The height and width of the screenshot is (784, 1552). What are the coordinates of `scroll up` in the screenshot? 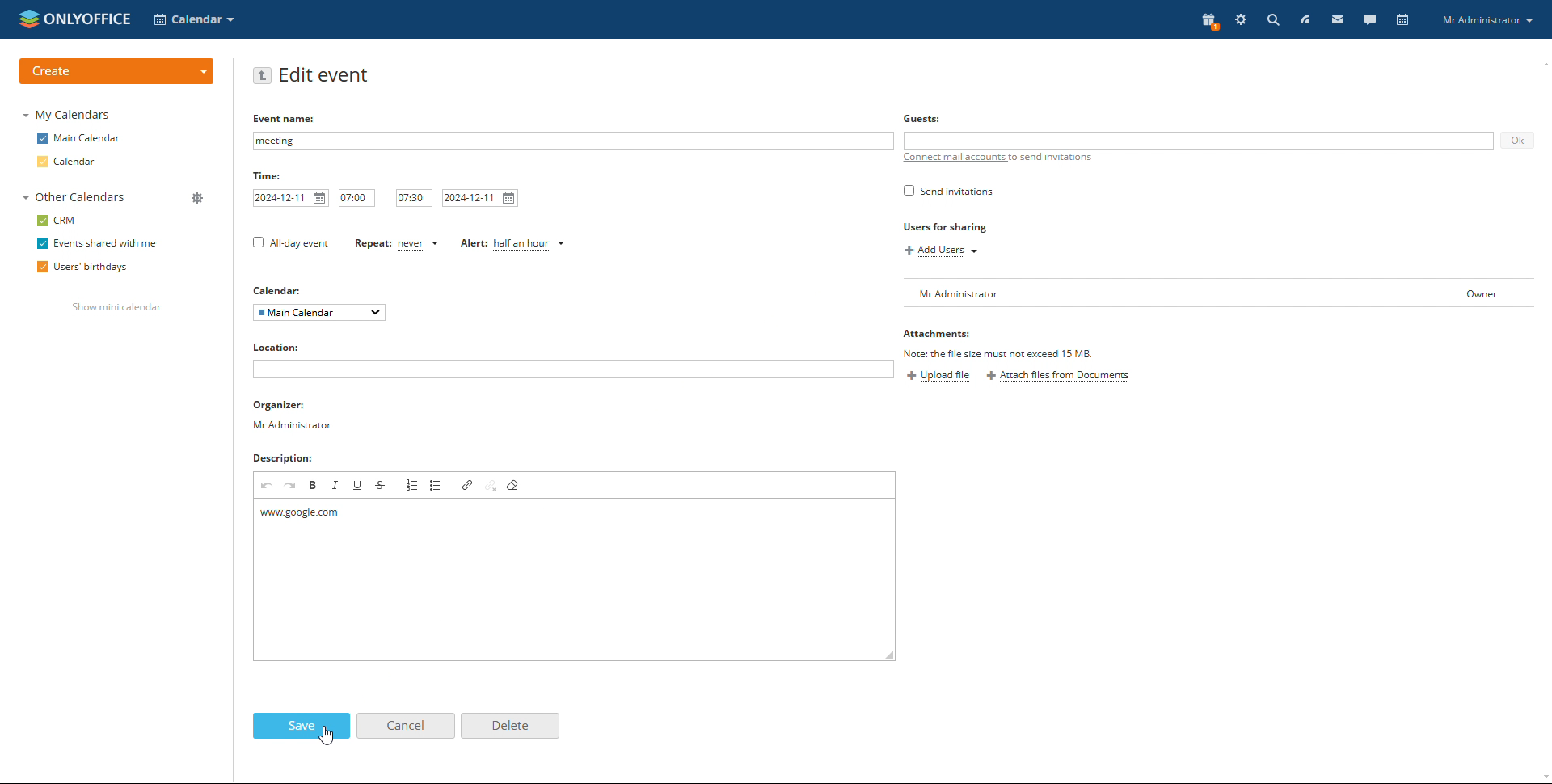 It's located at (1542, 61).